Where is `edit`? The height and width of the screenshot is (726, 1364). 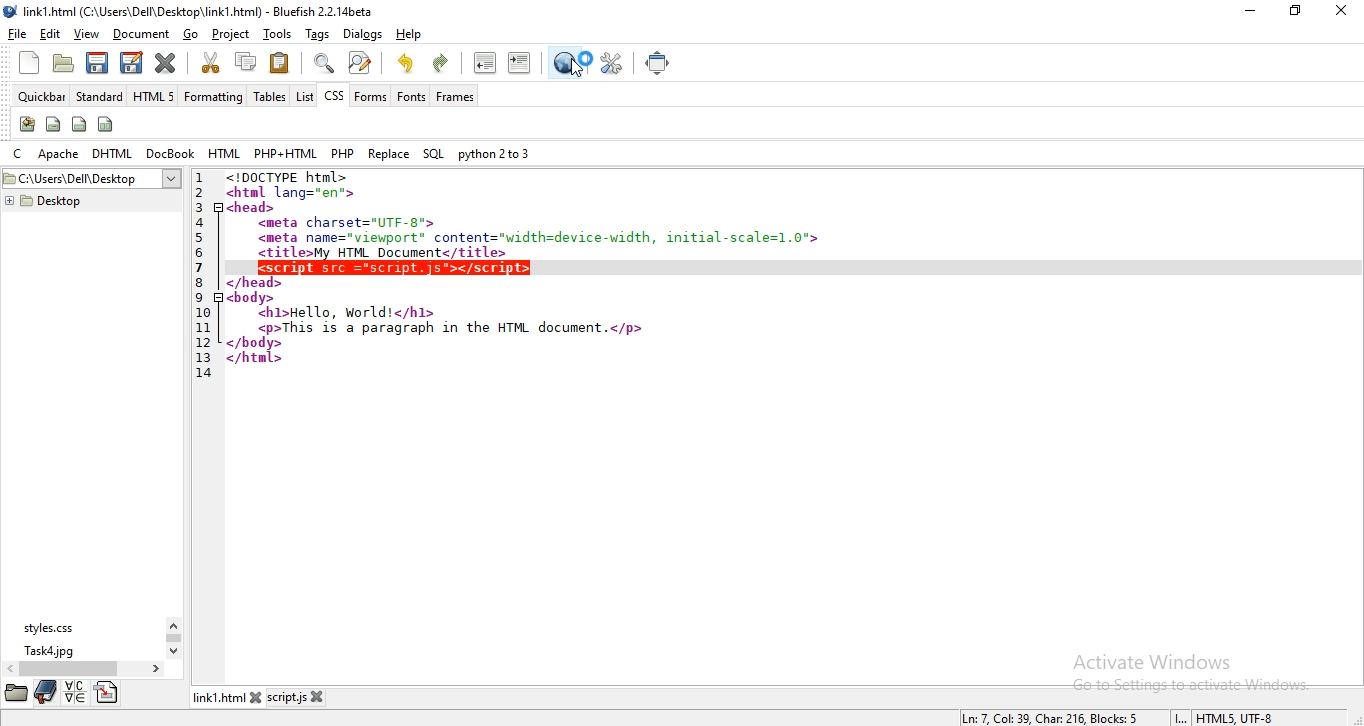 edit is located at coordinates (49, 33).